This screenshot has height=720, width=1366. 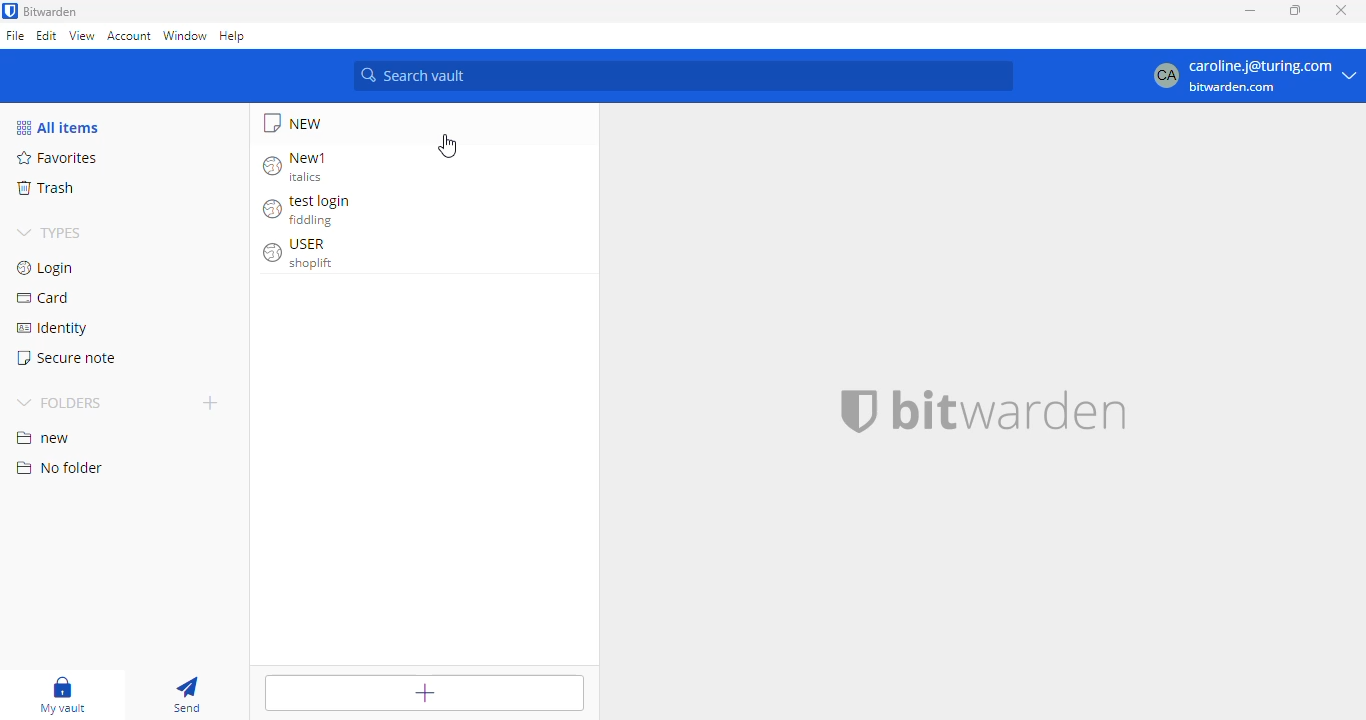 I want to click on all items, so click(x=59, y=127).